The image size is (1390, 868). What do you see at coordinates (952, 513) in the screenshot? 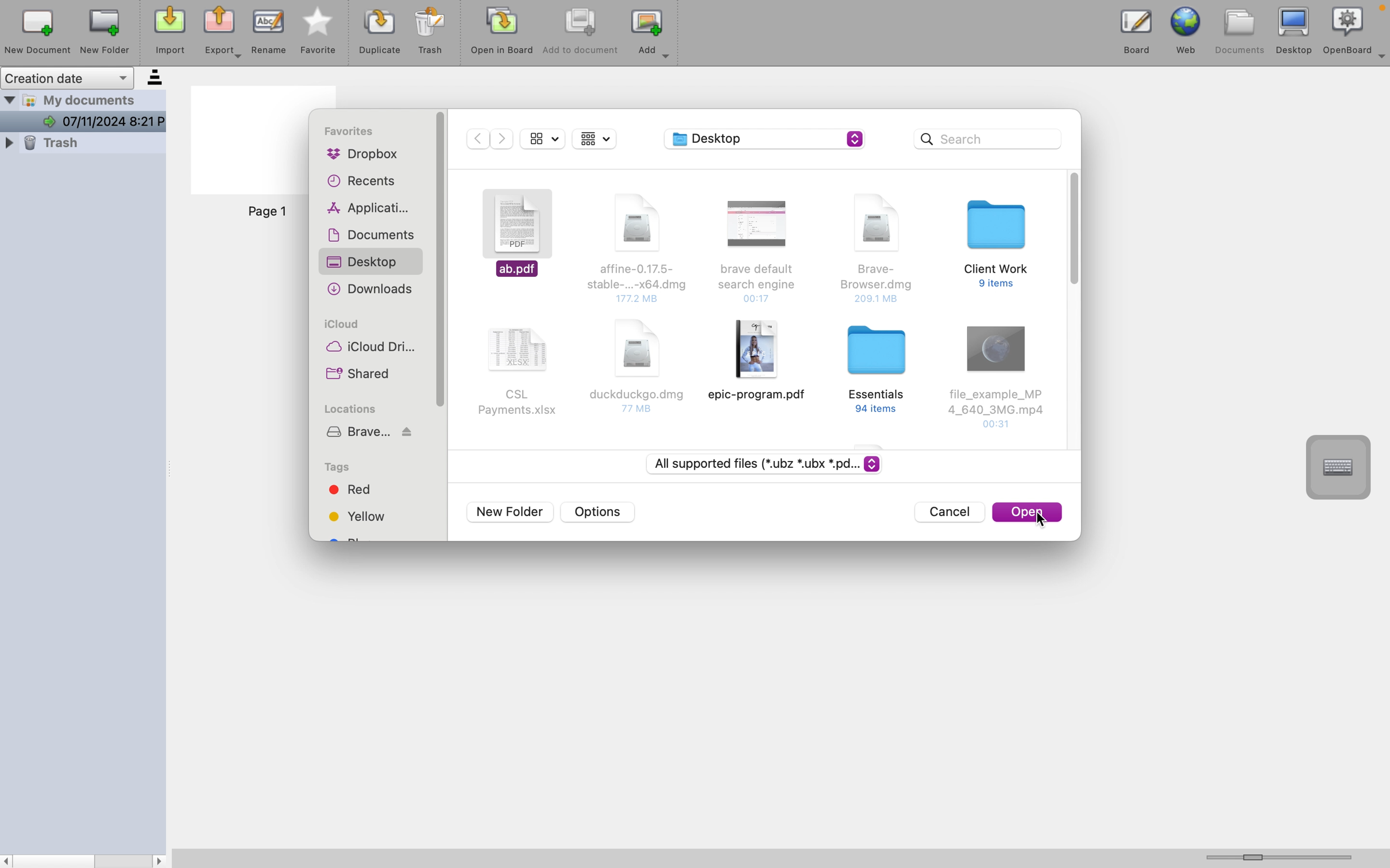
I see `cancel` at bounding box center [952, 513].